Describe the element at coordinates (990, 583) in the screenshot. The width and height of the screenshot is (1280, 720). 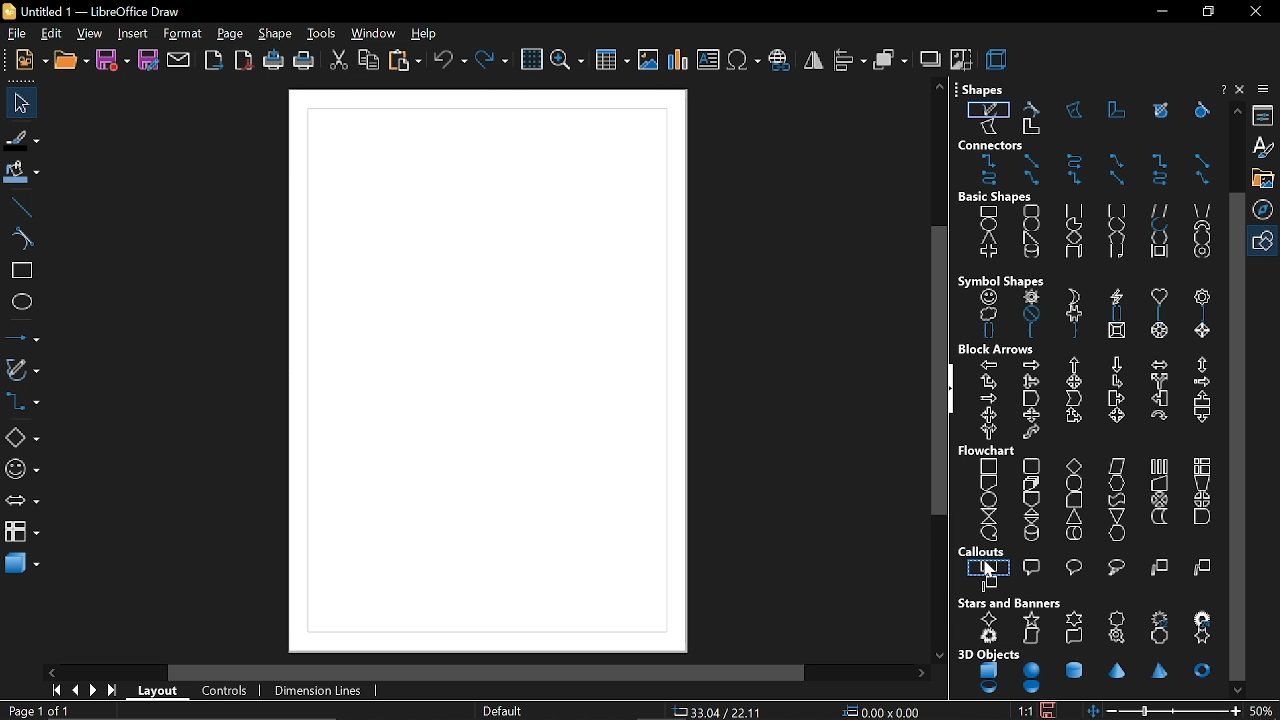
I see `line 3` at that location.